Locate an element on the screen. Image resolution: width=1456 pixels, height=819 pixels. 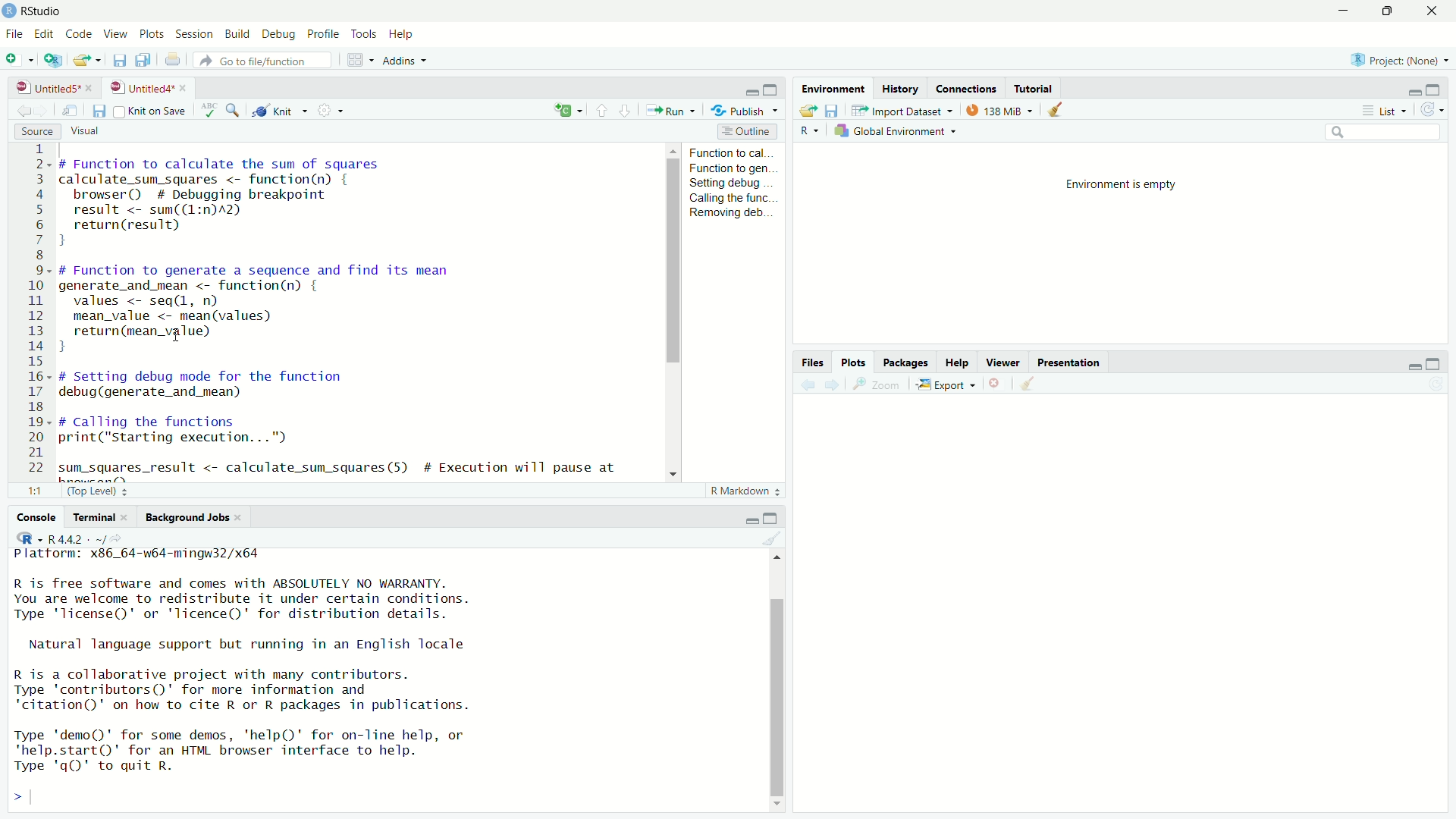
view is located at coordinates (118, 33).